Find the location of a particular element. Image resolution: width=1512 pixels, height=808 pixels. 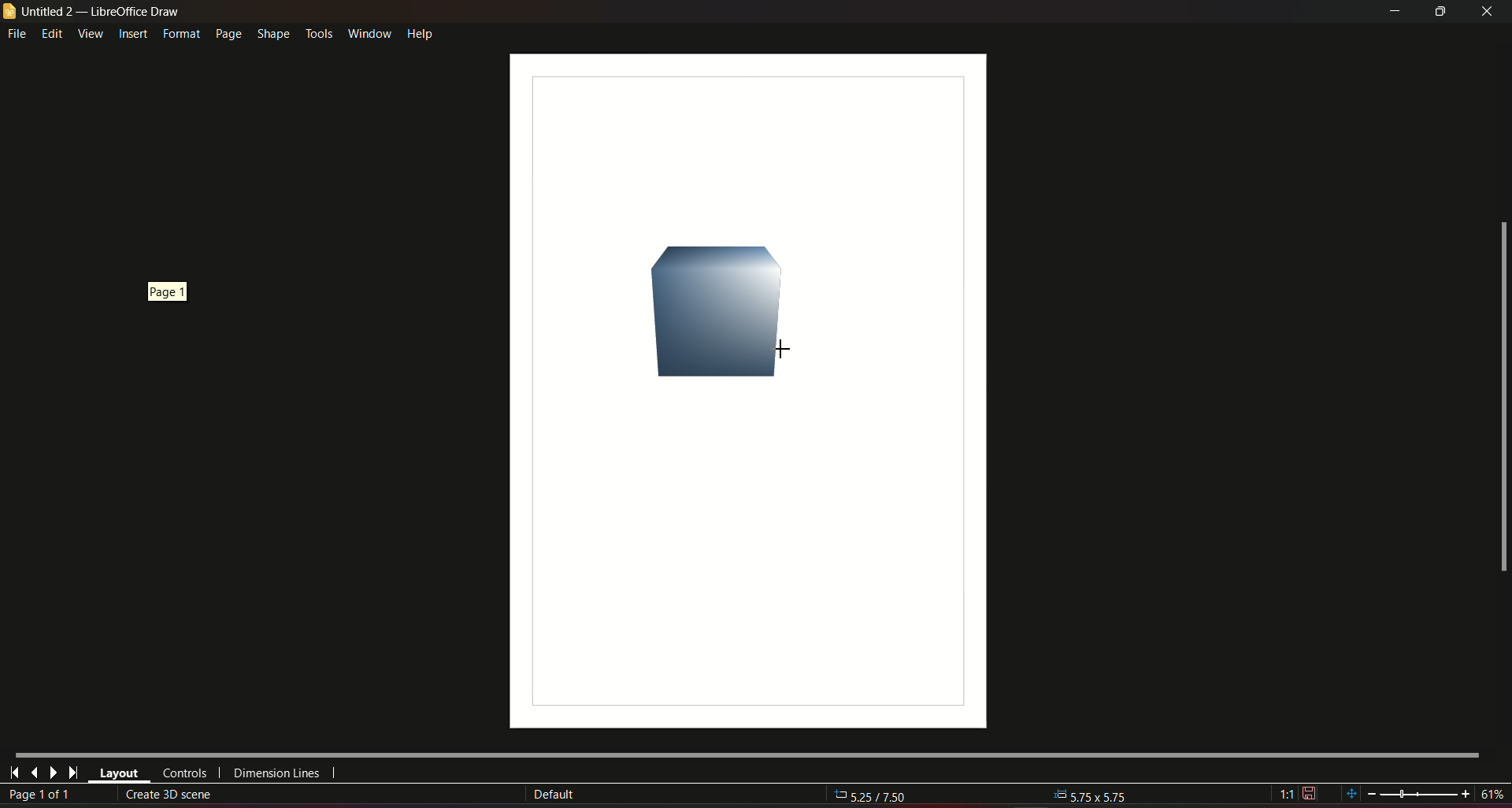

layout is located at coordinates (119, 774).